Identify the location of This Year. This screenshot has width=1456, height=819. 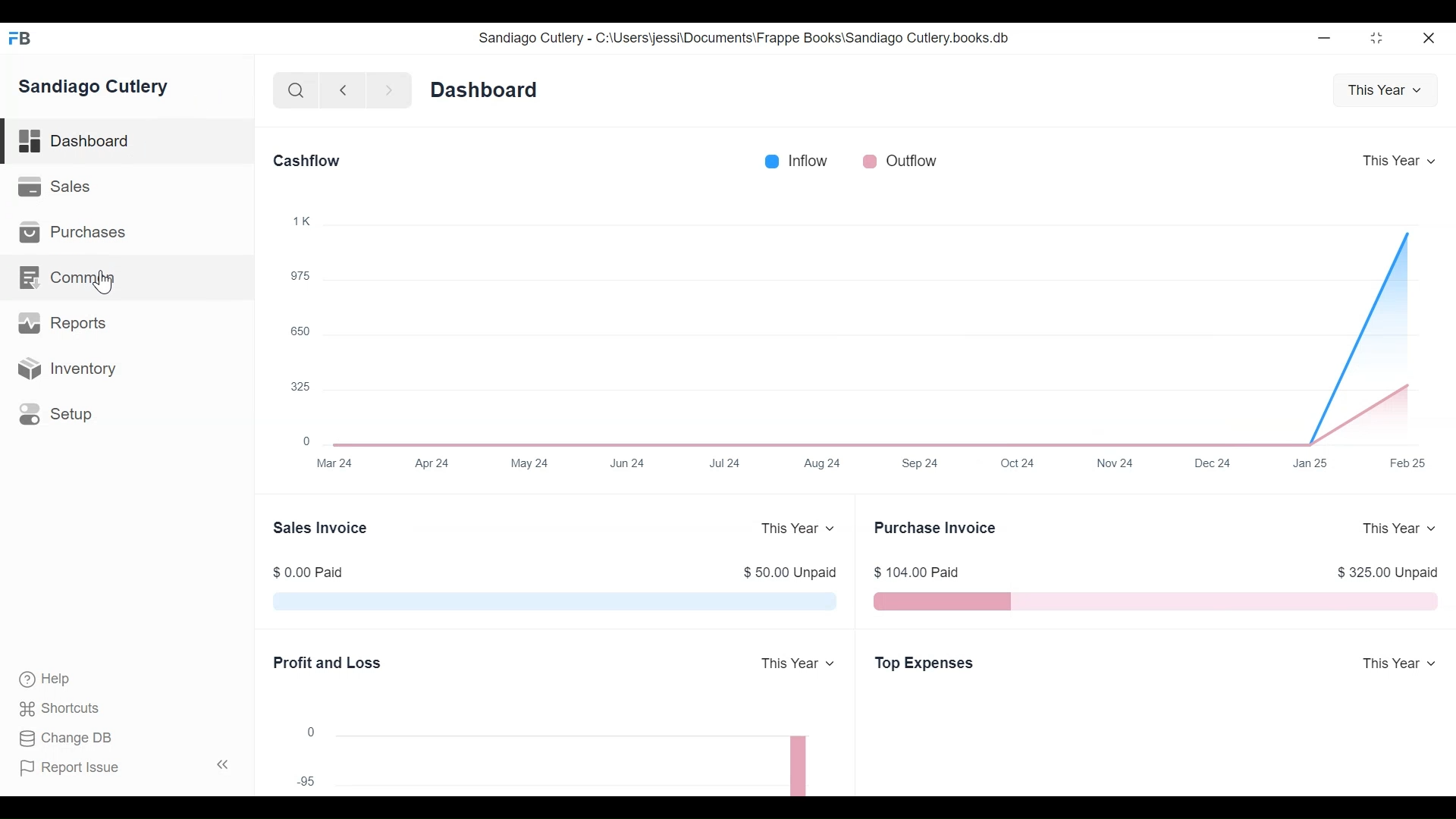
(799, 529).